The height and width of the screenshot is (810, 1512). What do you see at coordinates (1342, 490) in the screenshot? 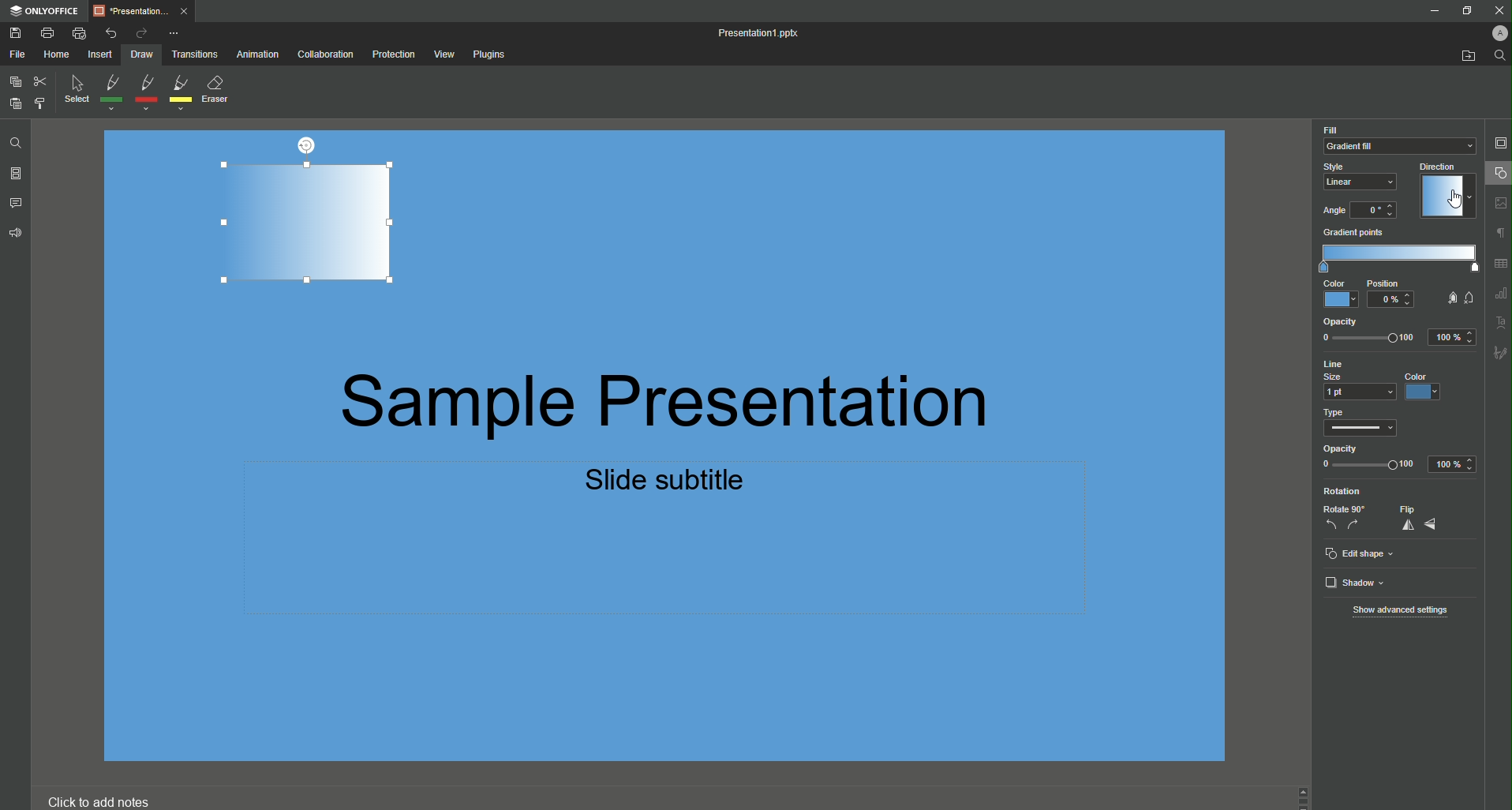
I see `Rotation` at bounding box center [1342, 490].